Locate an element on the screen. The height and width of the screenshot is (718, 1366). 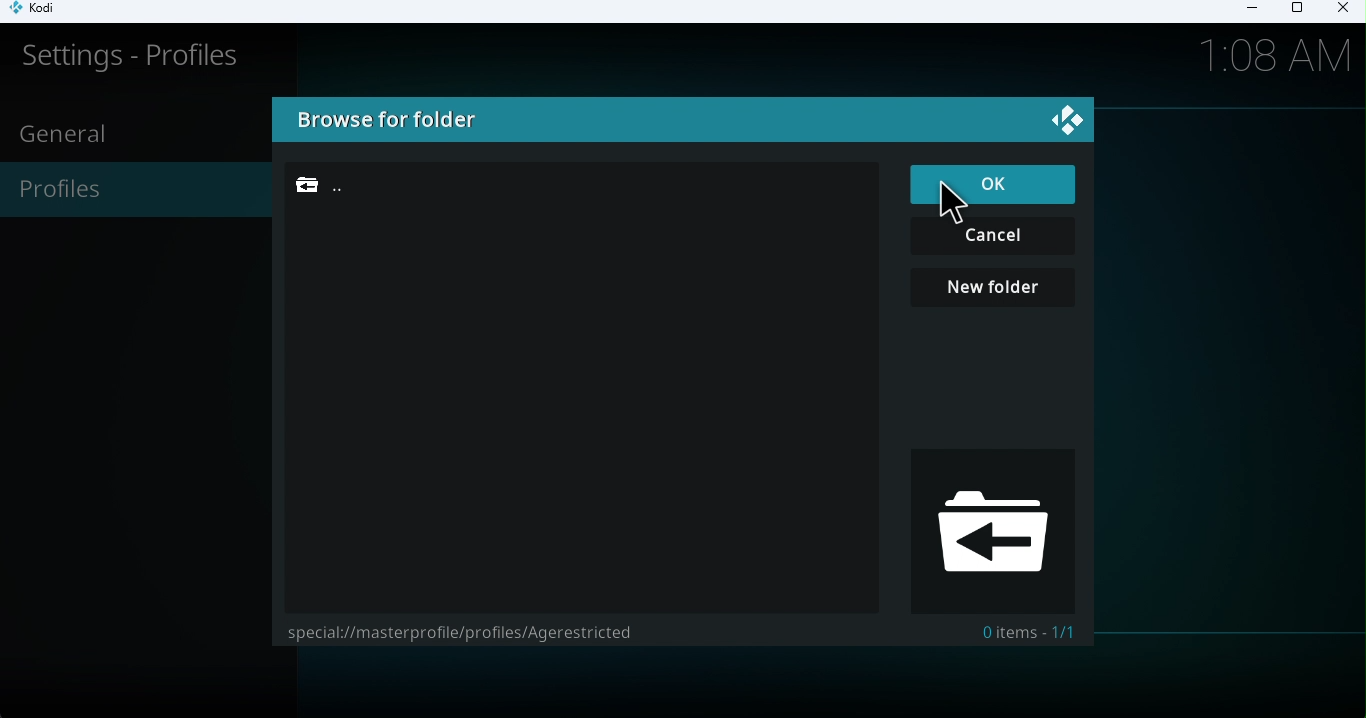
General is located at coordinates (68, 133).